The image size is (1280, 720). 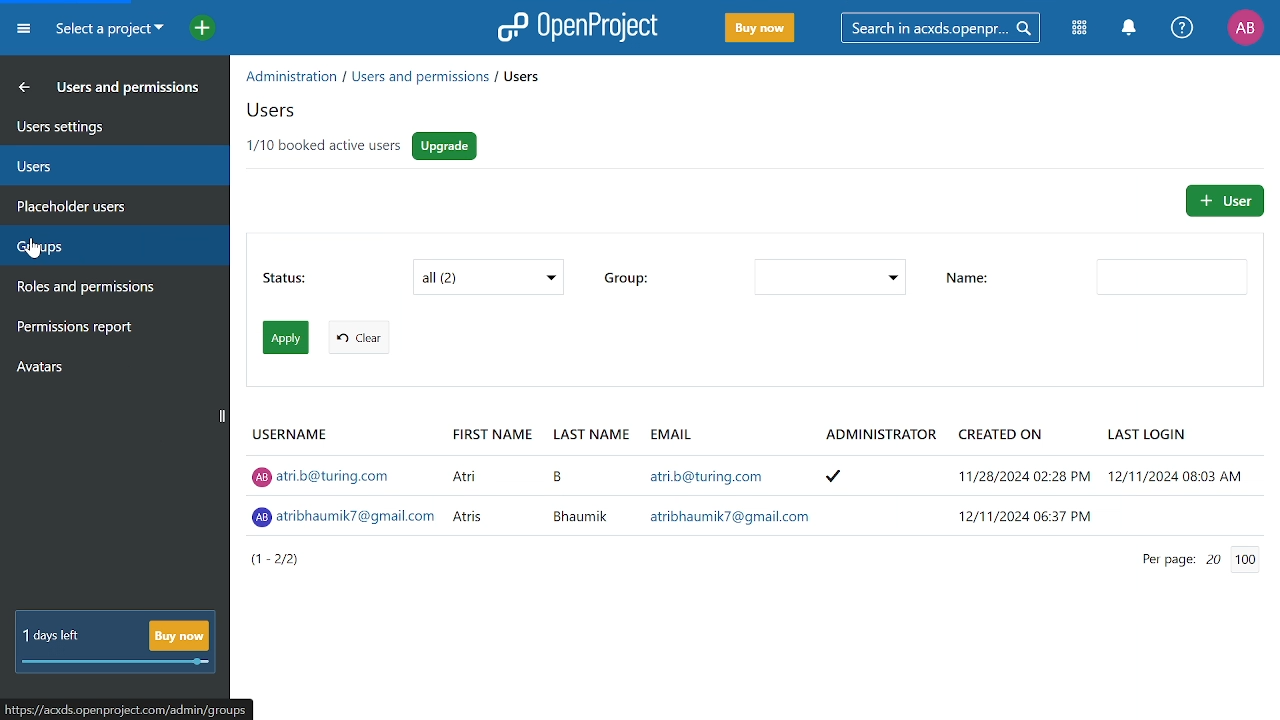 What do you see at coordinates (947, 27) in the screenshot?
I see `Search` at bounding box center [947, 27].